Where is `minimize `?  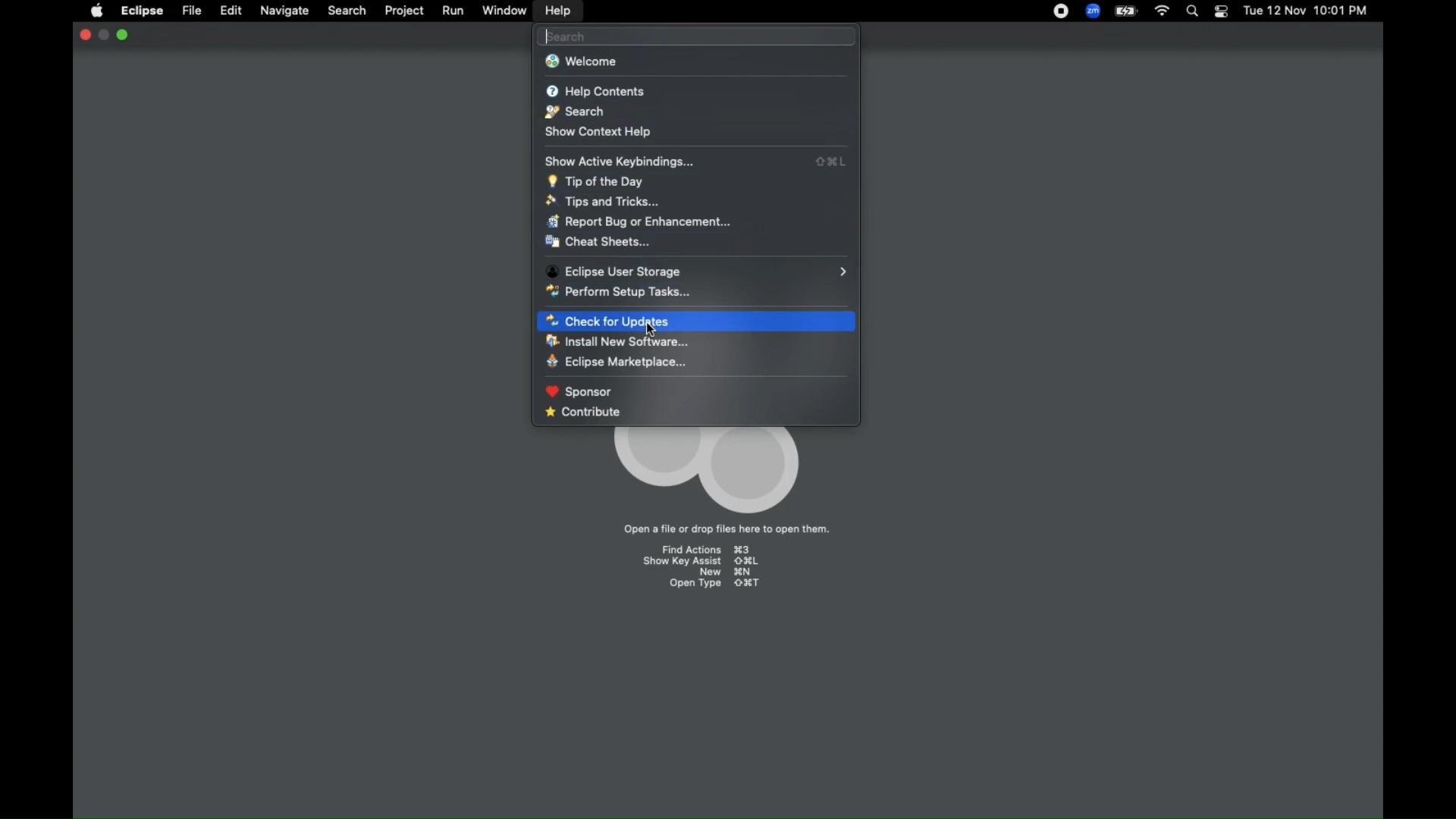 minimize  is located at coordinates (104, 35).